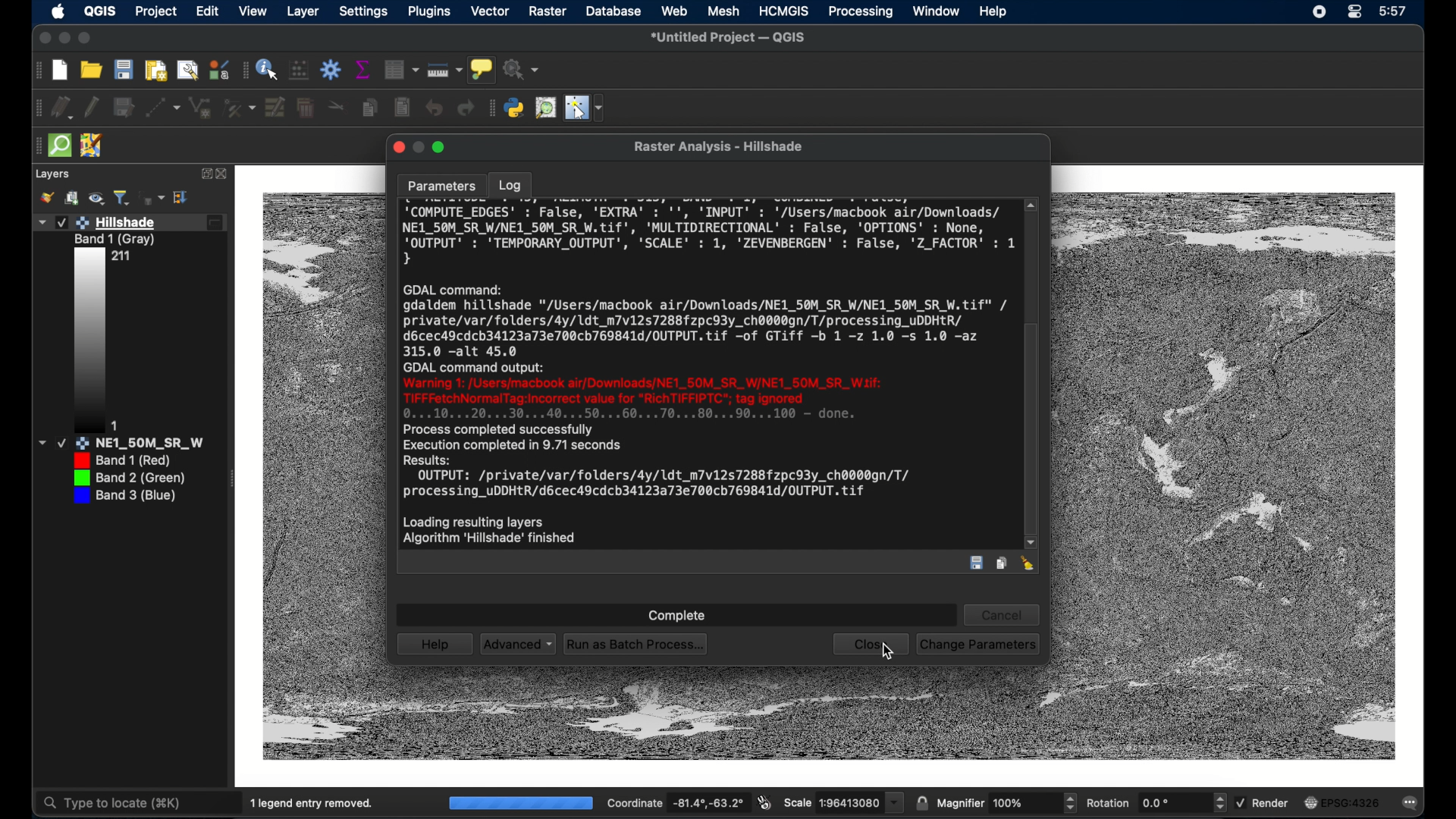 This screenshot has width=1456, height=819. What do you see at coordinates (36, 108) in the screenshot?
I see `drag handle` at bounding box center [36, 108].